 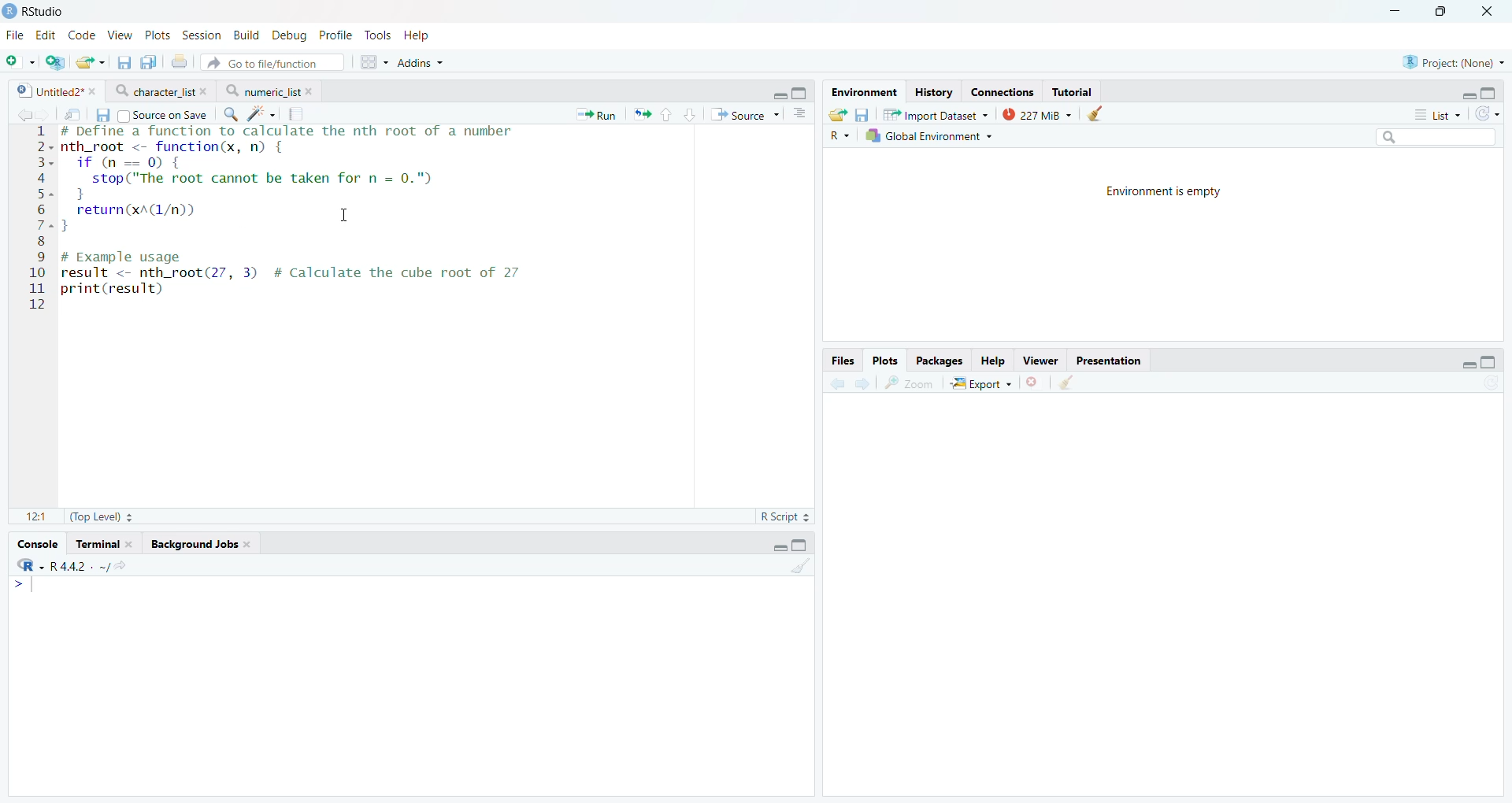 What do you see at coordinates (72, 565) in the screenshot?
I see `R -R 4.4.2. ~/` at bounding box center [72, 565].